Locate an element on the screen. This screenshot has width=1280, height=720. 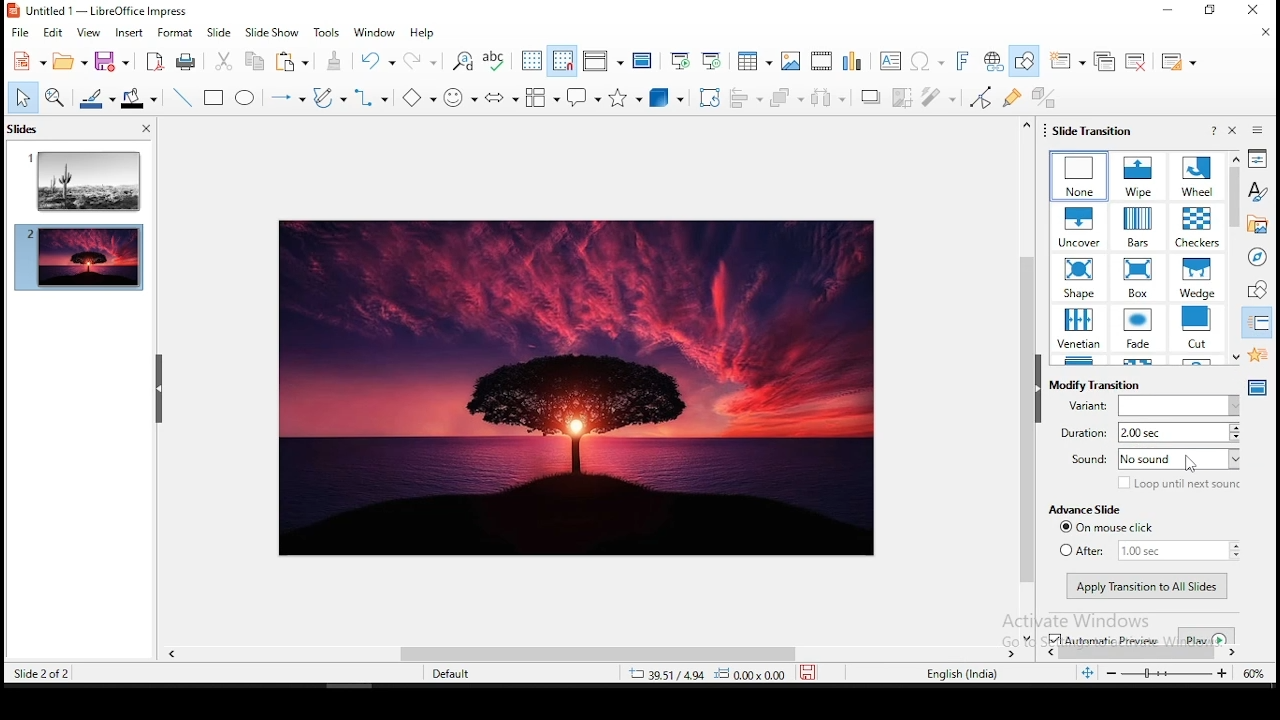
advance slide is located at coordinates (1083, 510).